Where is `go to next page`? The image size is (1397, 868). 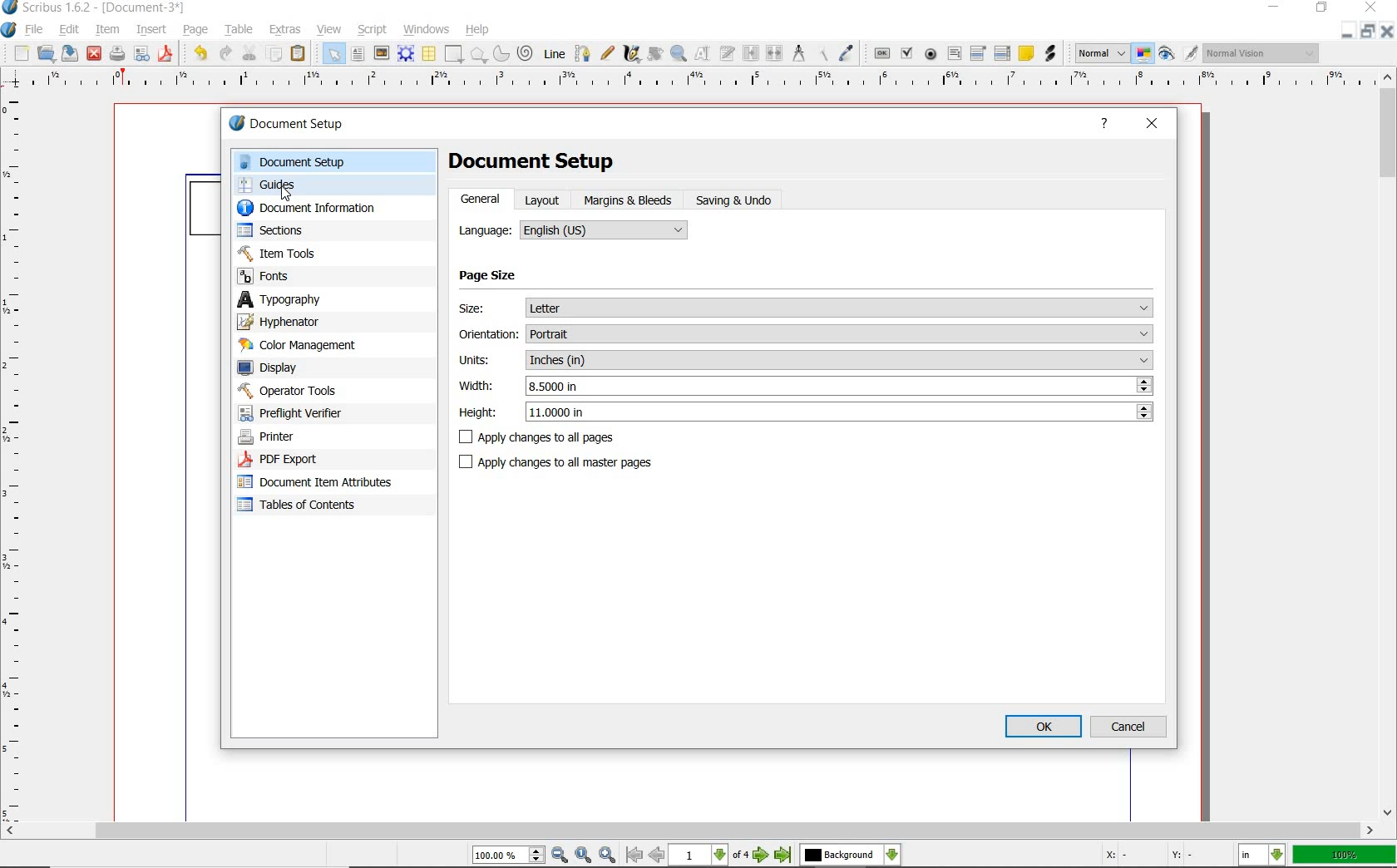 go to next page is located at coordinates (763, 856).